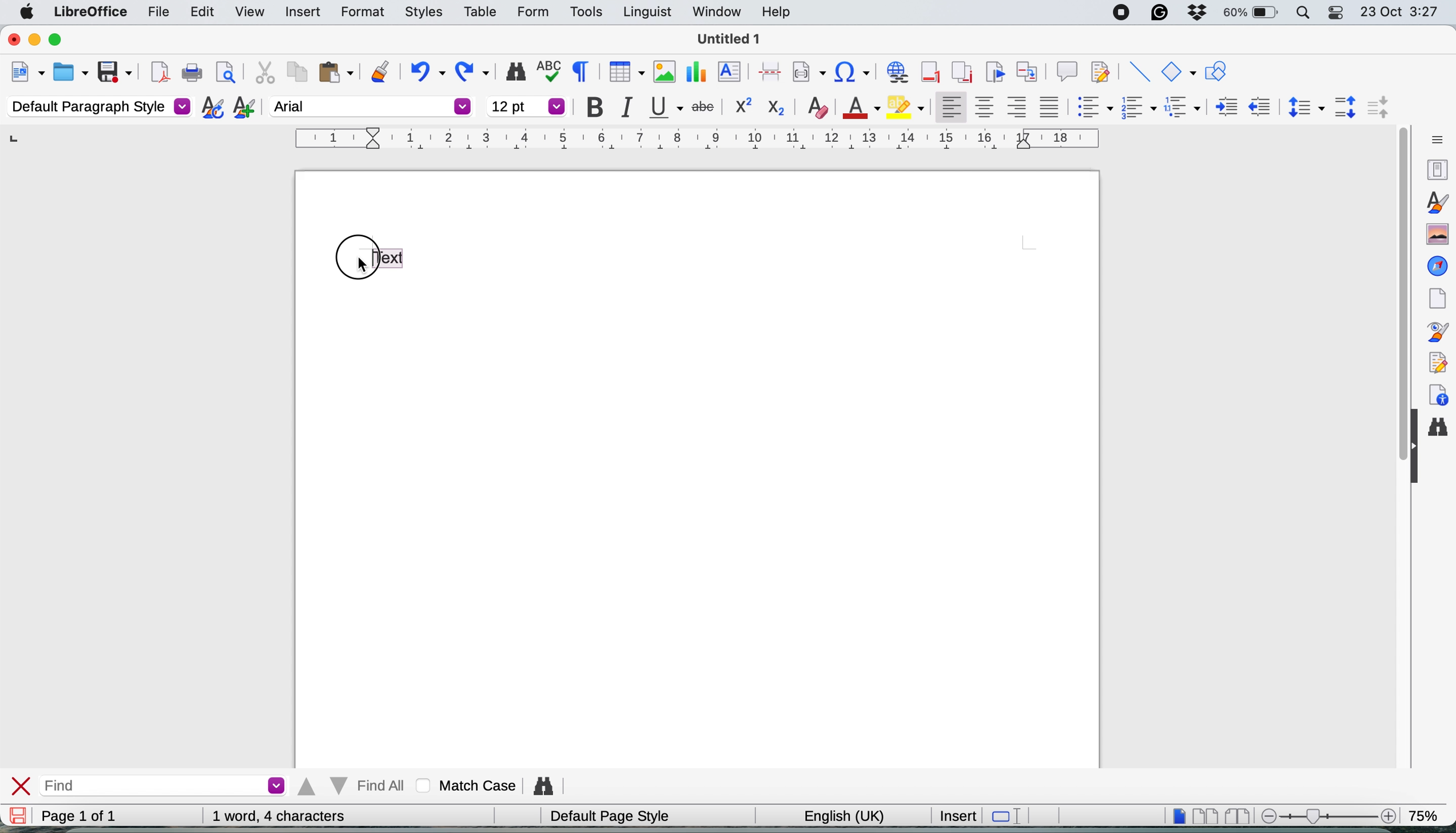 The width and height of the screenshot is (1456, 833). What do you see at coordinates (1434, 140) in the screenshot?
I see `sidebar settings` at bounding box center [1434, 140].